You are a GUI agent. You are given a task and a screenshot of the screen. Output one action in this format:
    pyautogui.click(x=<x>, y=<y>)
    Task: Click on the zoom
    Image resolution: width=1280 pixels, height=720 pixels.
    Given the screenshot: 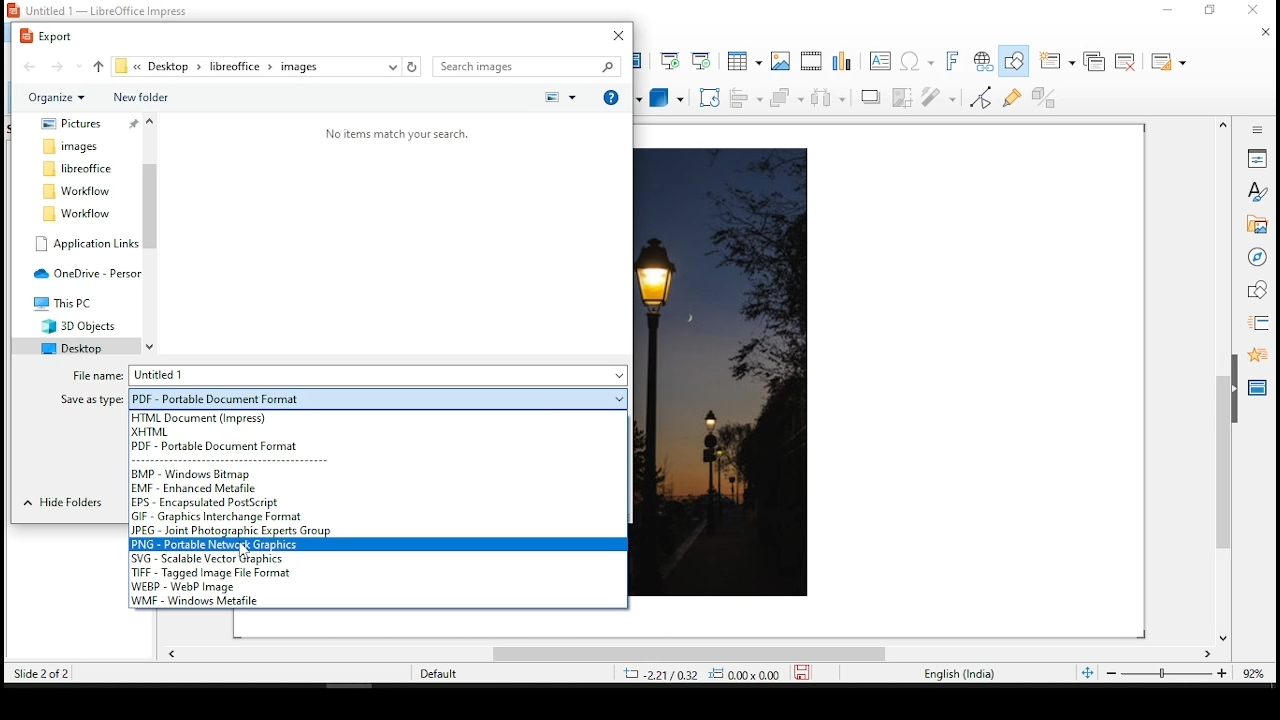 What is the action you would take?
    pyautogui.click(x=1181, y=673)
    